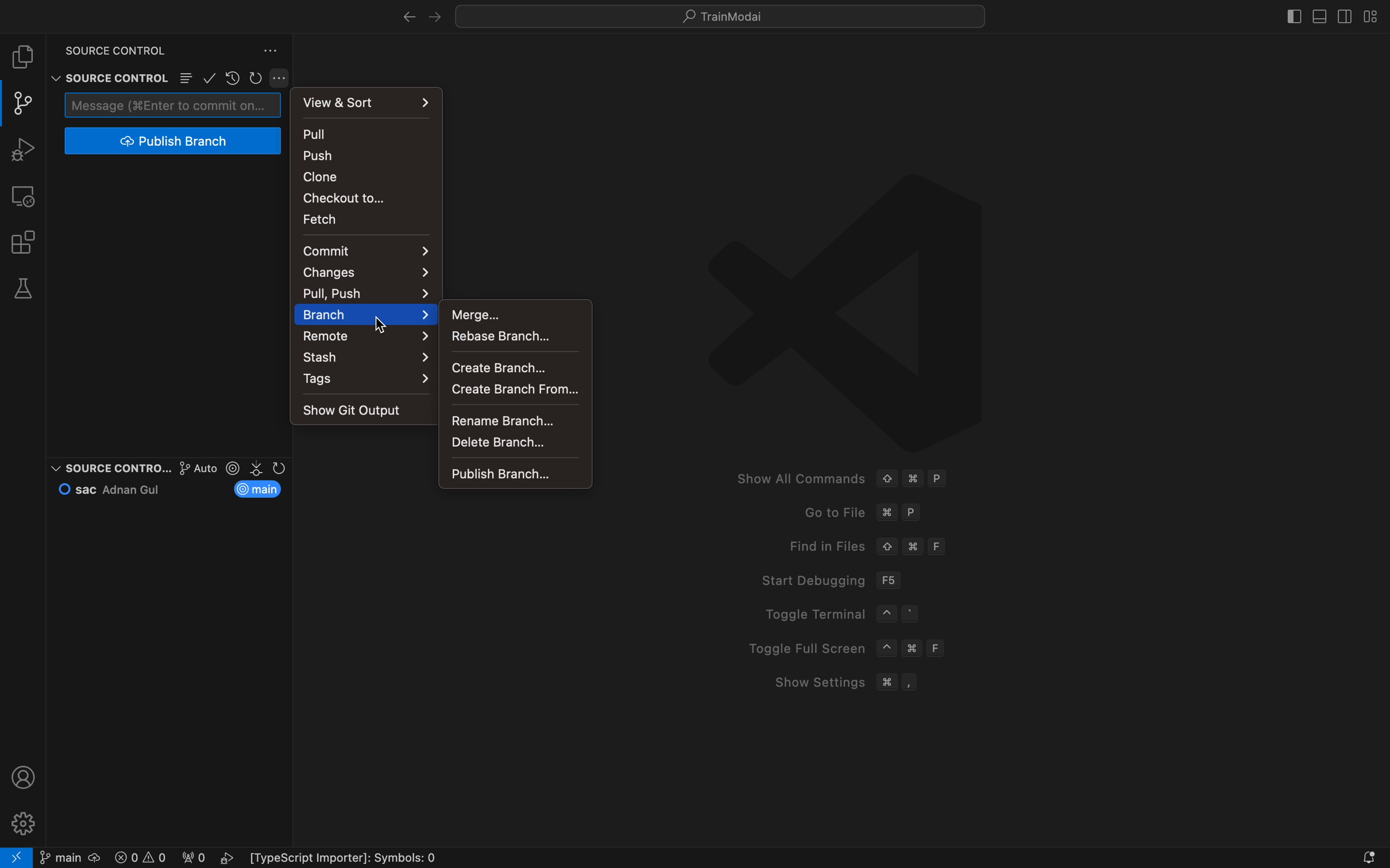 Image resolution: width=1390 pixels, height=868 pixels. What do you see at coordinates (361, 292) in the screenshot?
I see `` at bounding box center [361, 292].